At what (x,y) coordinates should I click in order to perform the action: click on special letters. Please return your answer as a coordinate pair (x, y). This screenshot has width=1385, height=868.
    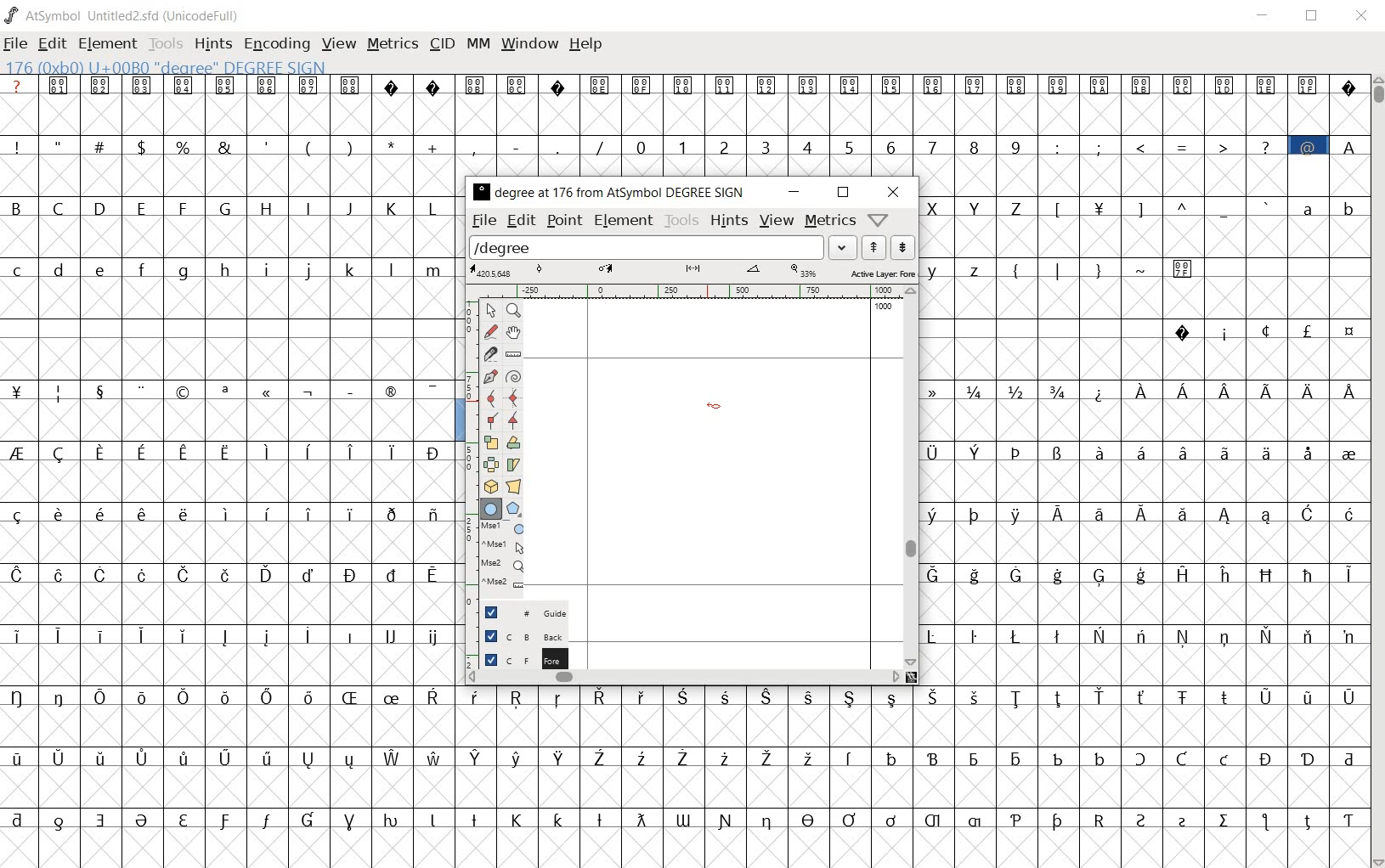
    Looking at the image, I should click on (1144, 450).